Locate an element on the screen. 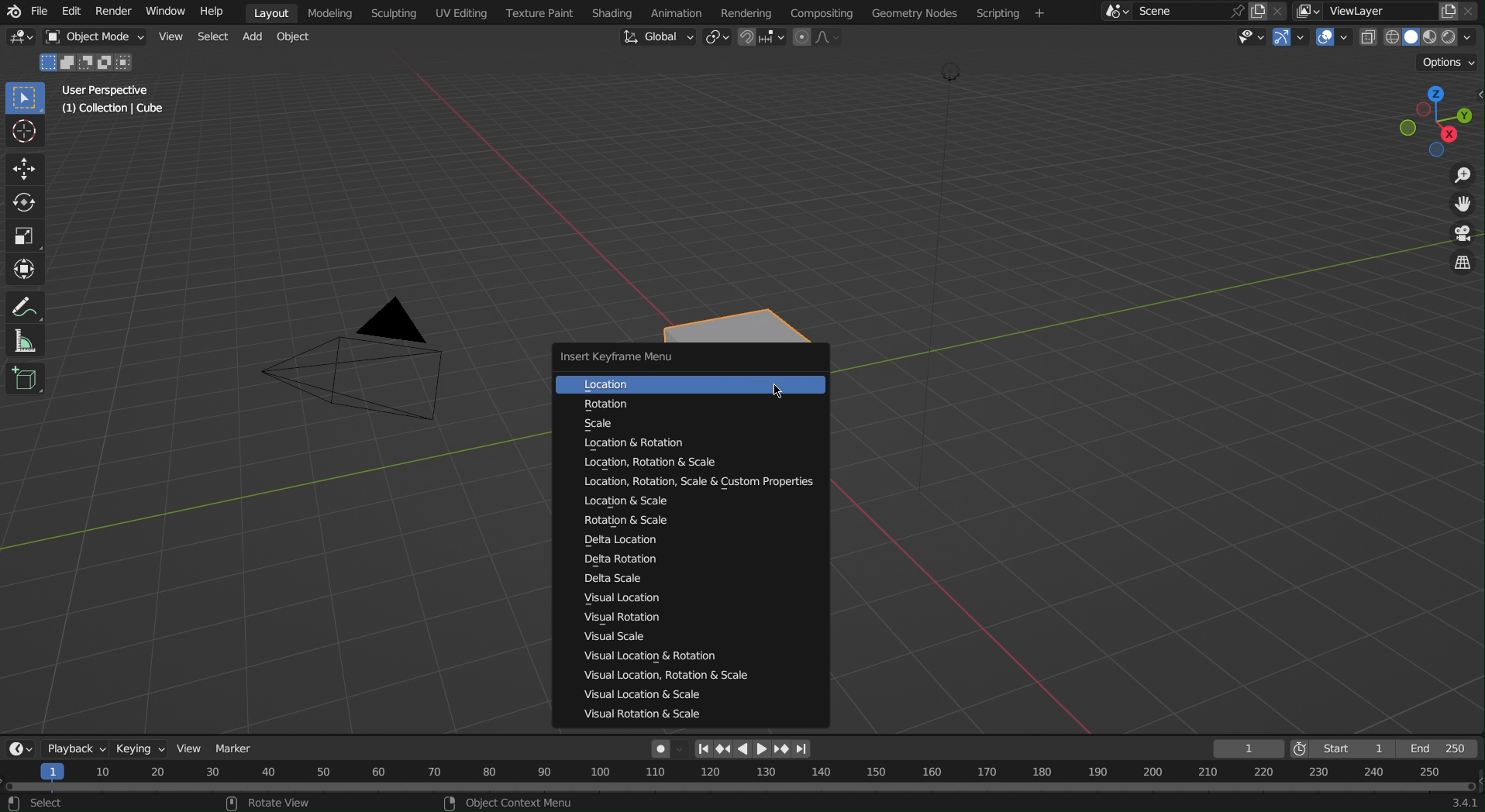 This screenshot has height=812, width=1485. Visual Location & Rotation is located at coordinates (639, 655).